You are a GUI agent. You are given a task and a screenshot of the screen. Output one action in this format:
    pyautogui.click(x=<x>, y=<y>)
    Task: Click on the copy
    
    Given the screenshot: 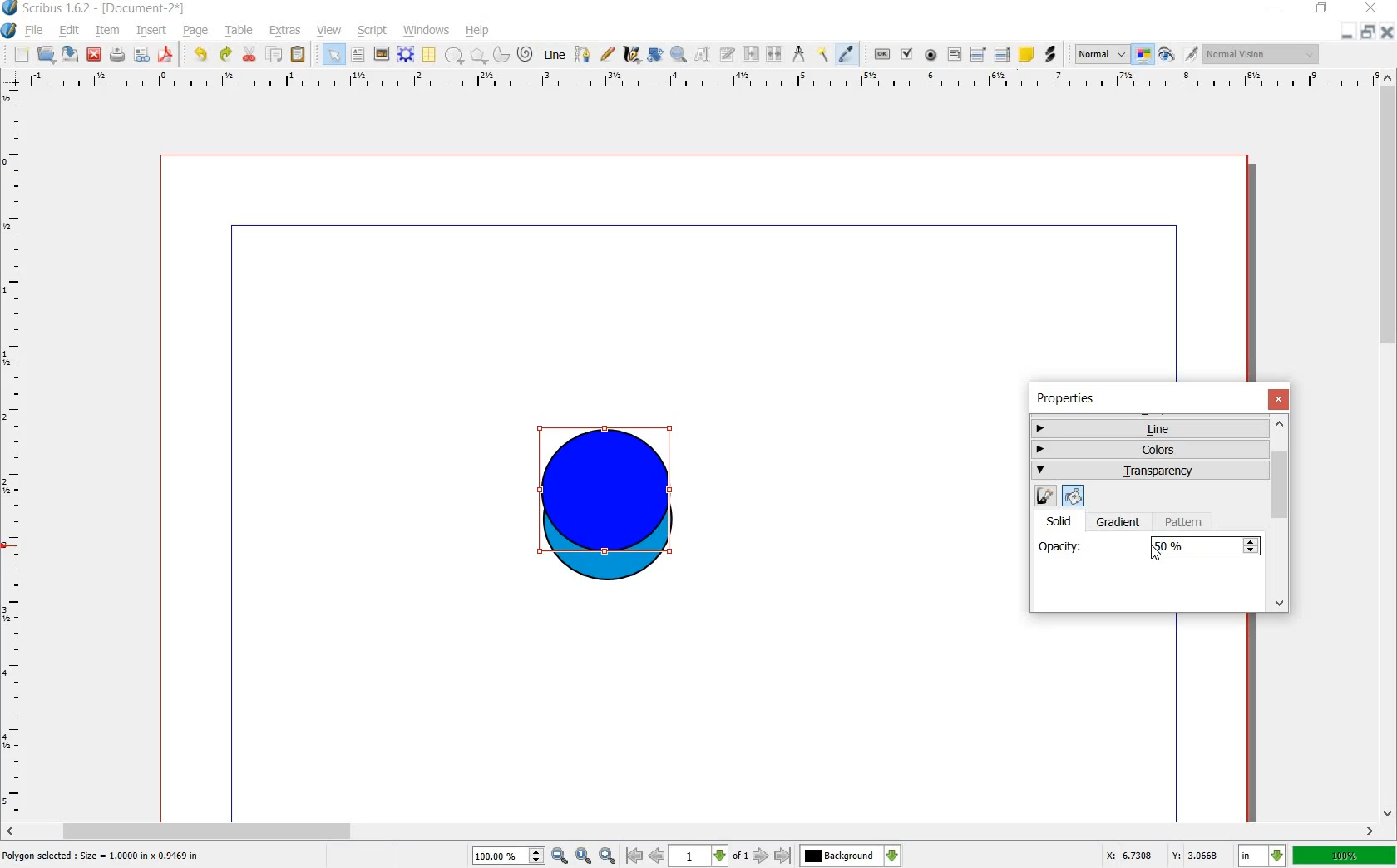 What is the action you would take?
    pyautogui.click(x=276, y=55)
    